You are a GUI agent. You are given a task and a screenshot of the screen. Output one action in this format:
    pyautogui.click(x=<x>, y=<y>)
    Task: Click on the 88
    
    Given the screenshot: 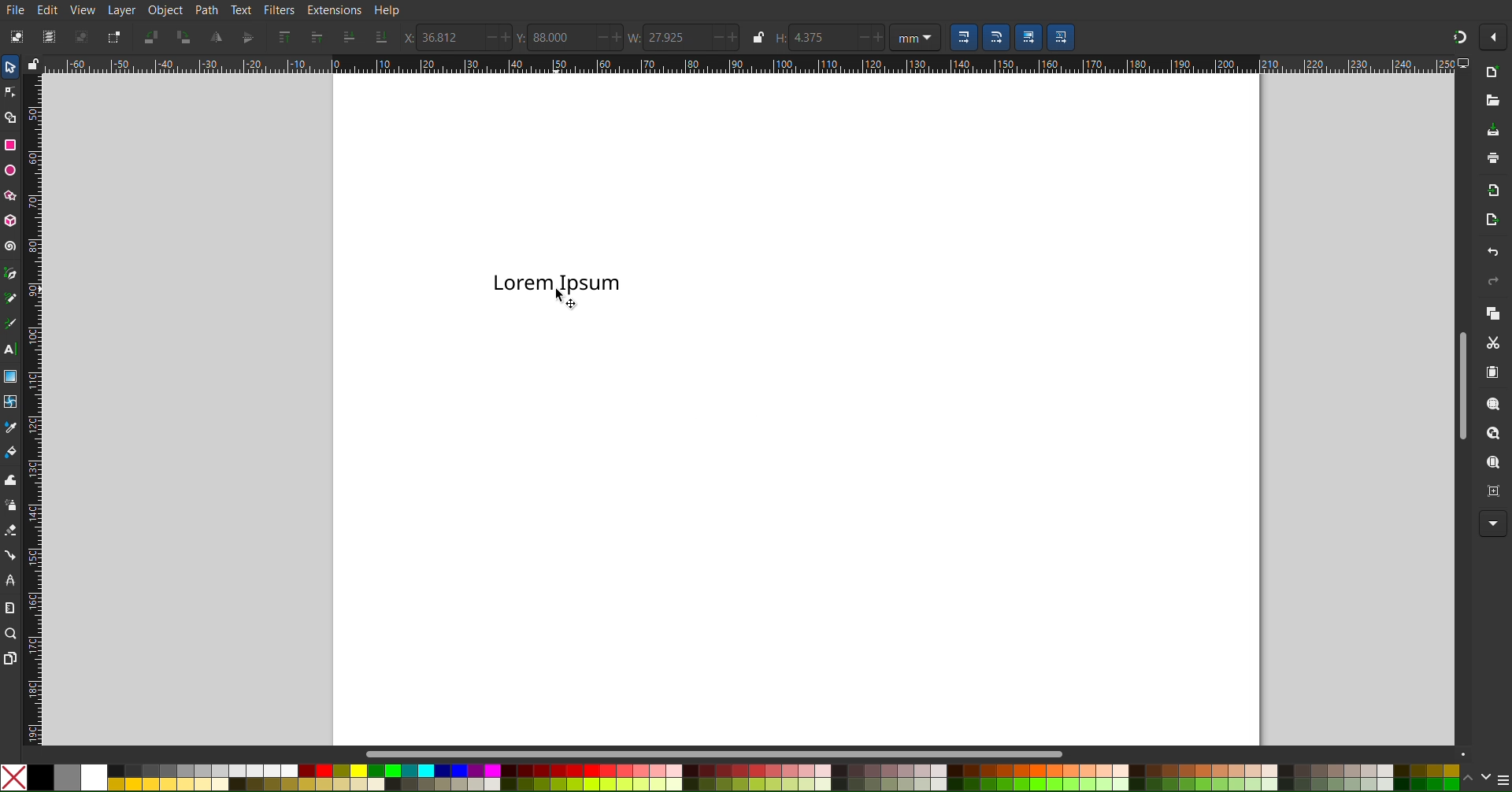 What is the action you would take?
    pyautogui.click(x=560, y=37)
    